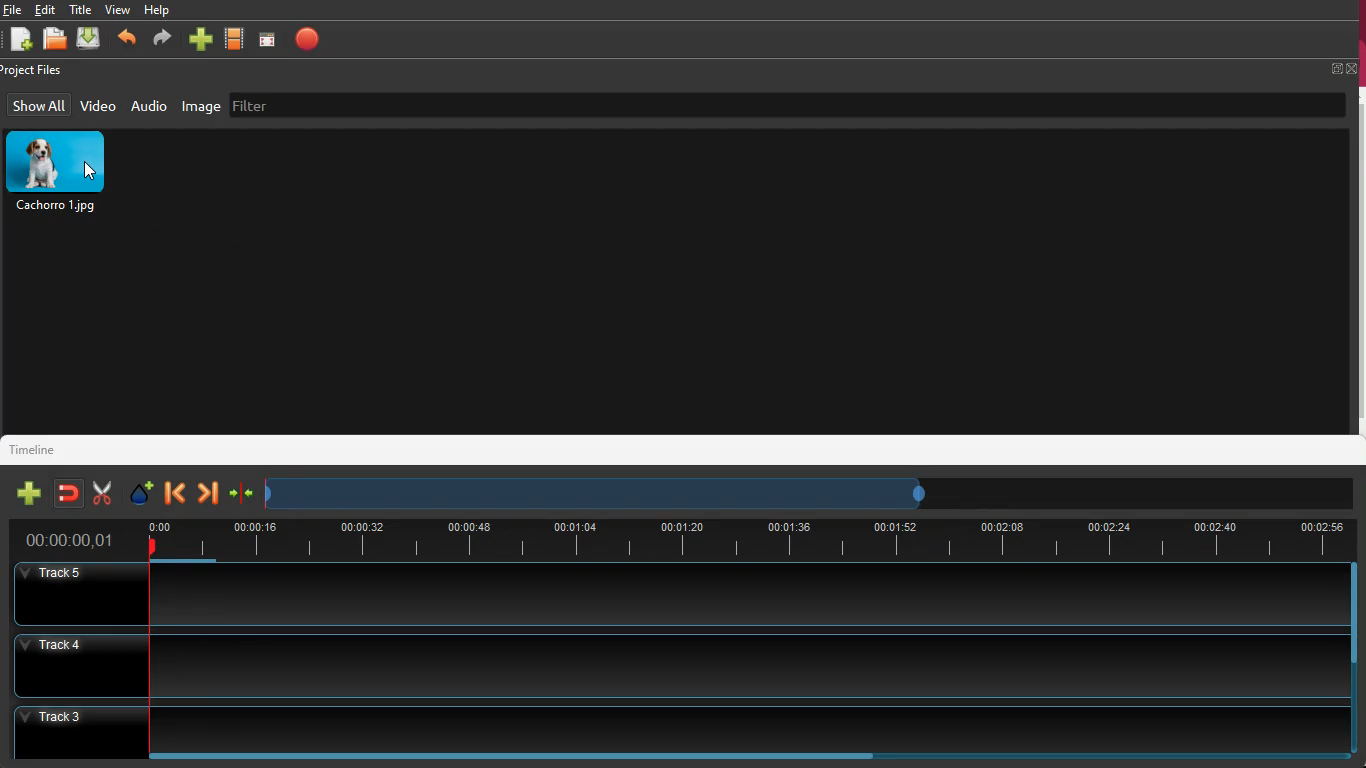 The width and height of the screenshot is (1366, 768). Describe the element at coordinates (241, 496) in the screenshot. I see `compress` at that location.